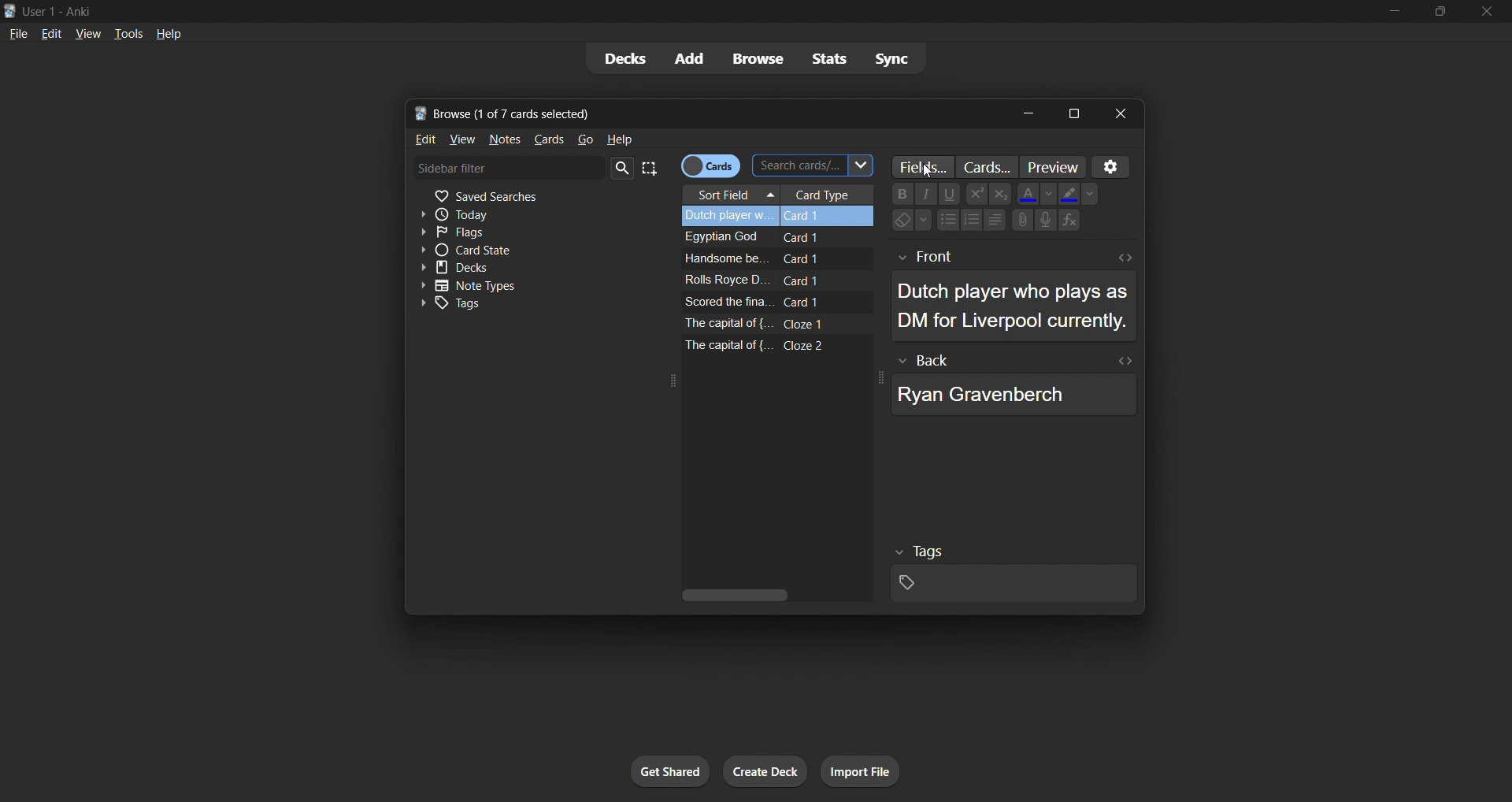 The image size is (1512, 802). I want to click on cursor, so click(929, 173).